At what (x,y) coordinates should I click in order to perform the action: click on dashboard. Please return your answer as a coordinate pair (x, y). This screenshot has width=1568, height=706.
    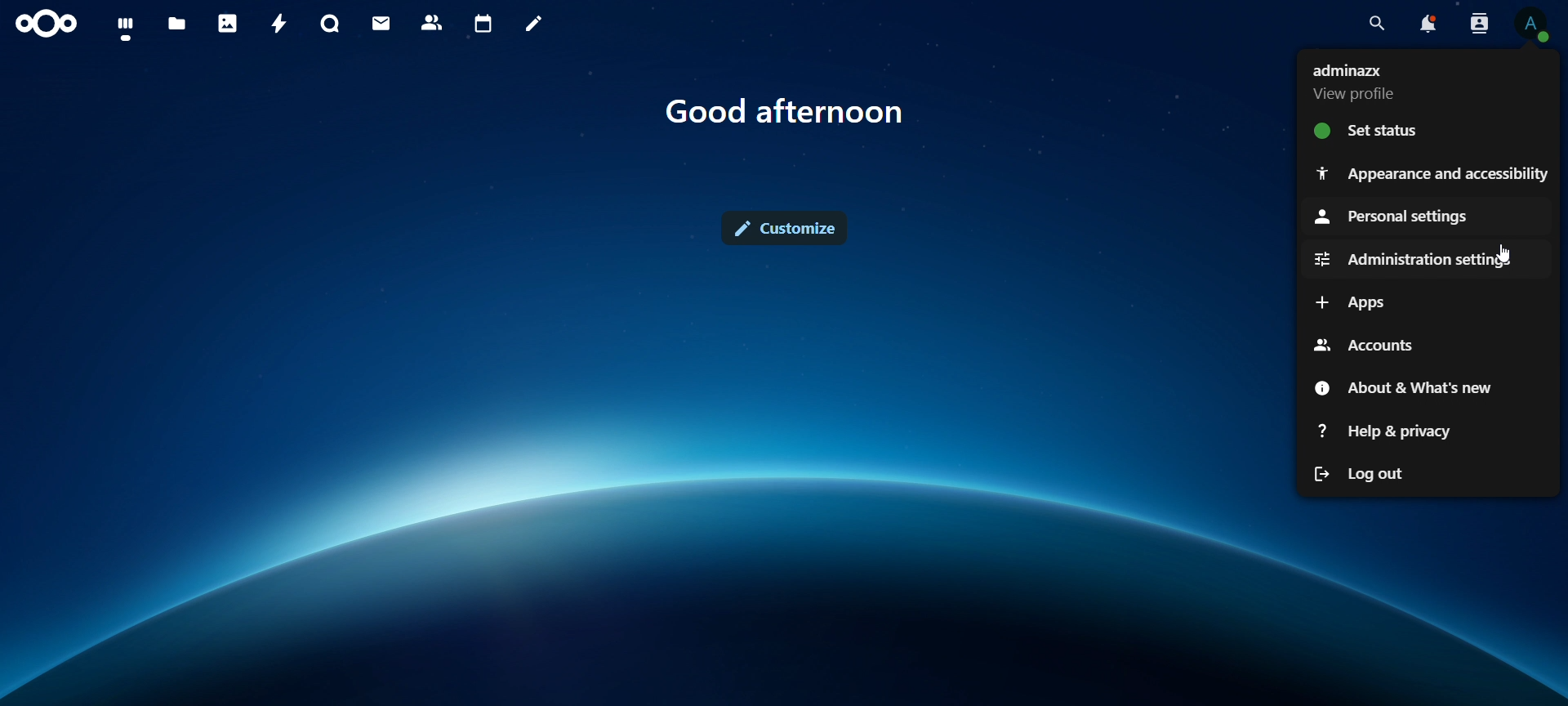
    Looking at the image, I should click on (123, 29).